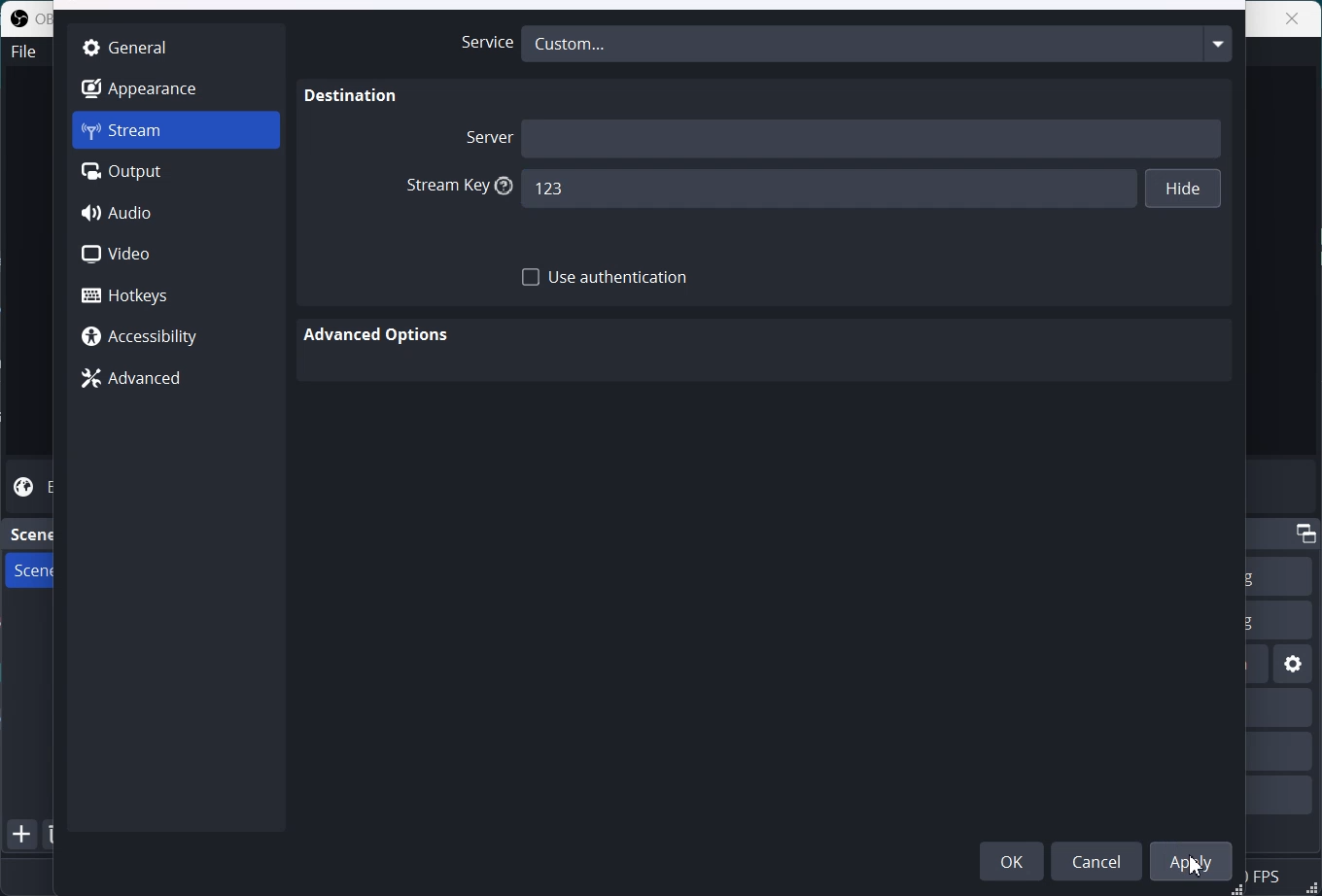  What do you see at coordinates (176, 130) in the screenshot?
I see `Stream` at bounding box center [176, 130].